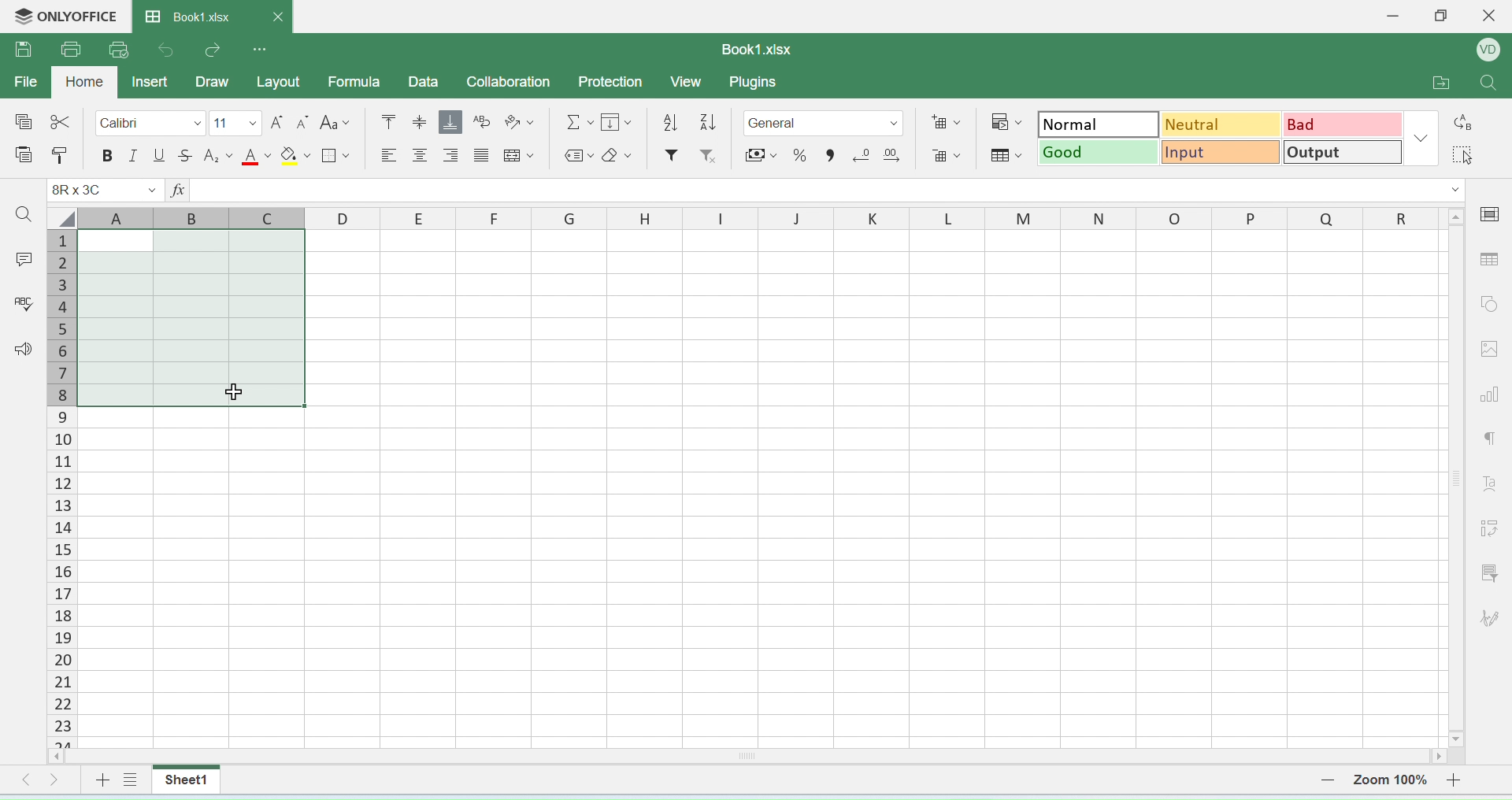  What do you see at coordinates (172, 48) in the screenshot?
I see `undo` at bounding box center [172, 48].